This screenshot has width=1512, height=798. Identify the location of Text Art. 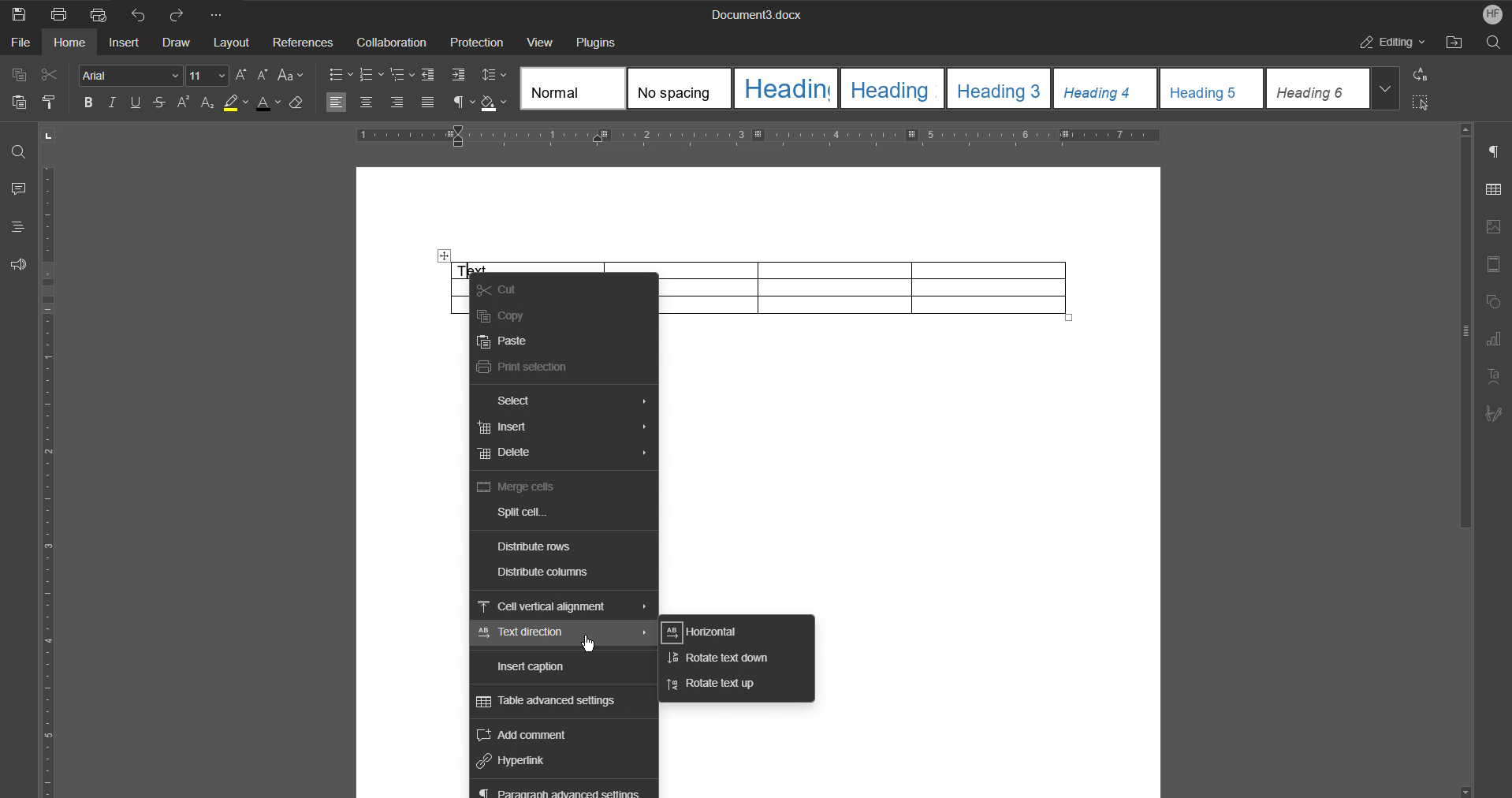
(1495, 375).